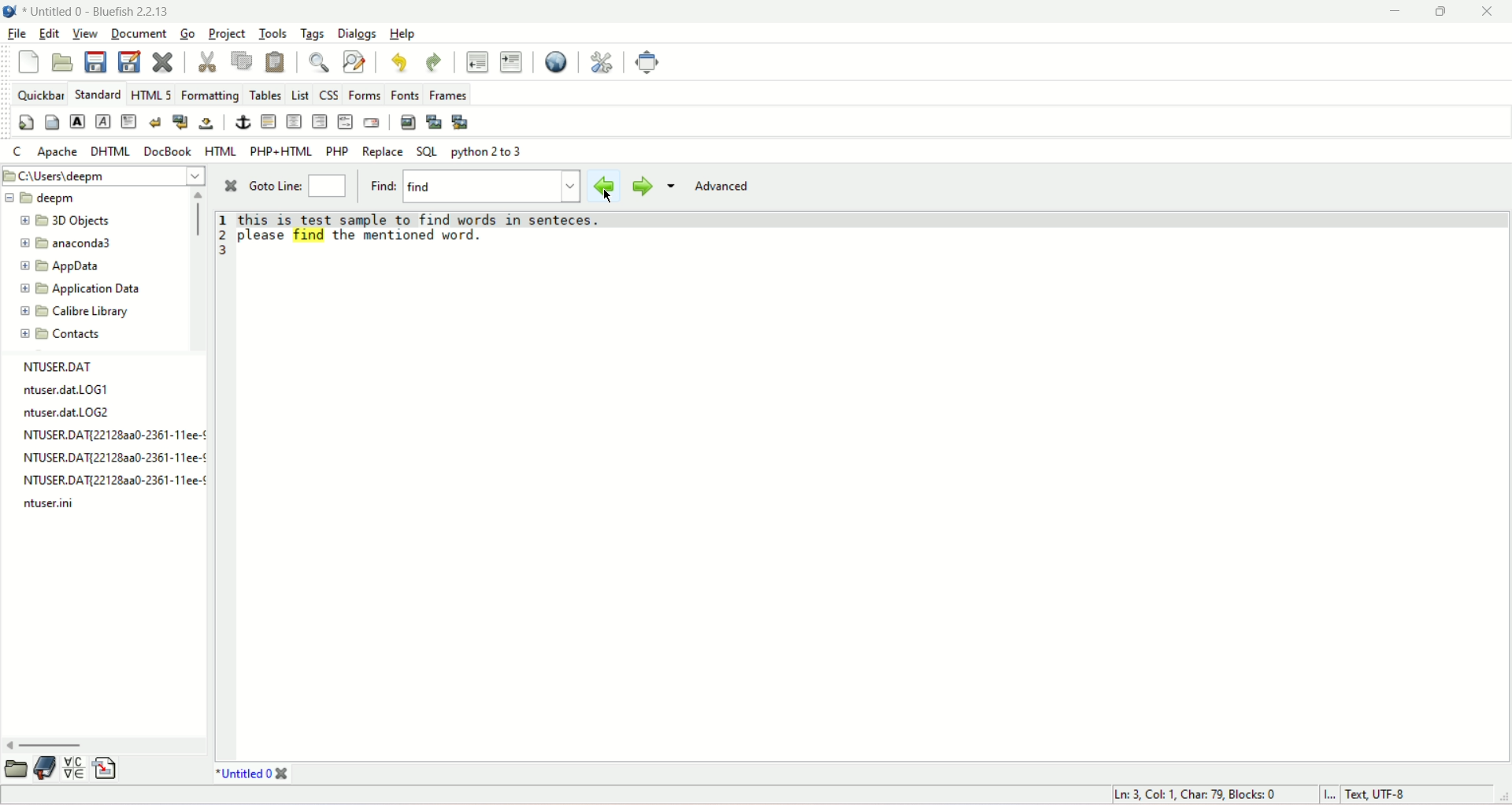 This screenshot has width=1512, height=805. What do you see at coordinates (672, 187) in the screenshot?
I see `more options` at bounding box center [672, 187].